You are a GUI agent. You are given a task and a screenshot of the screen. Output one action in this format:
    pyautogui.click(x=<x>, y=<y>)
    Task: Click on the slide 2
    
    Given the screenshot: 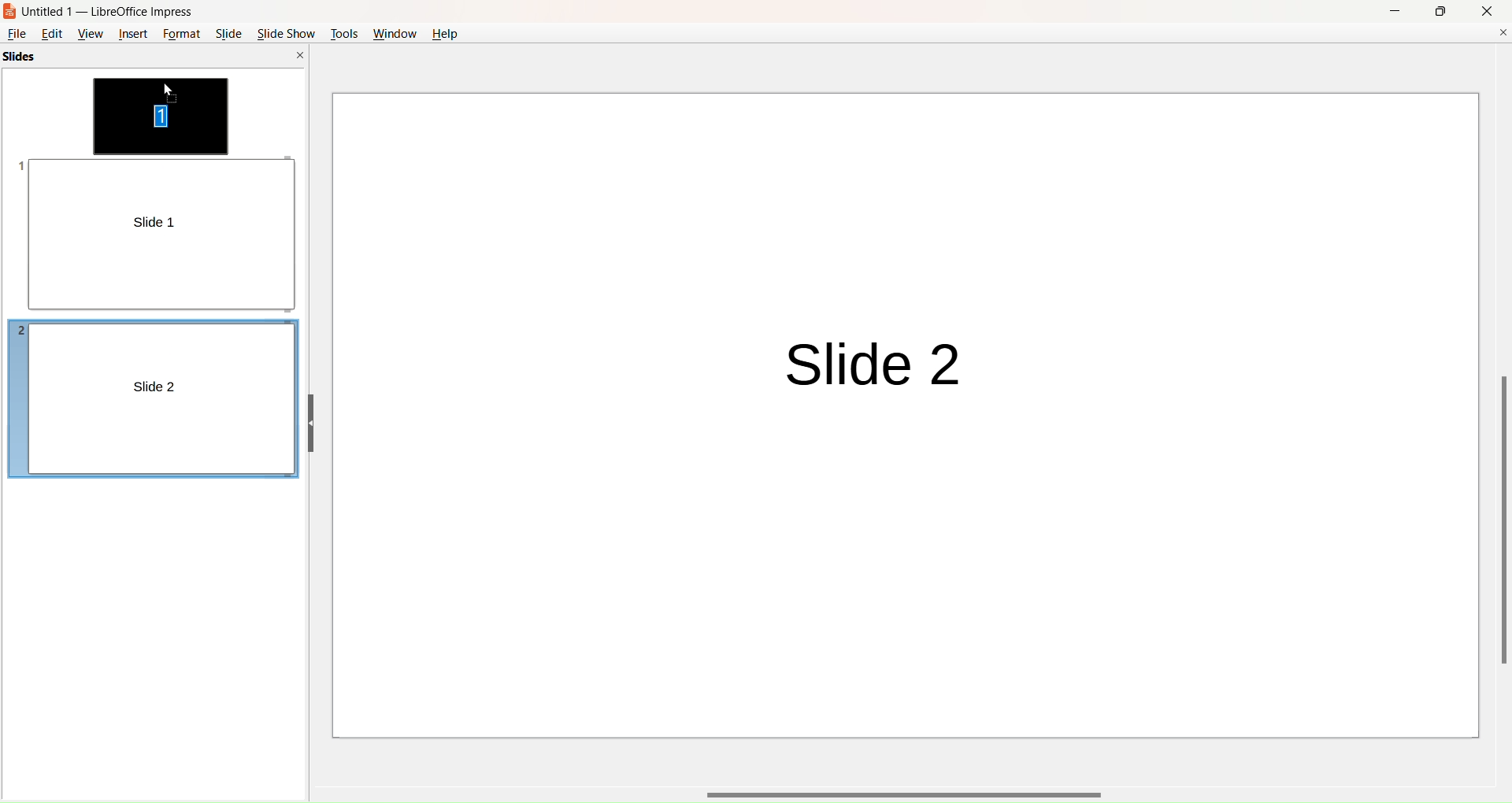 What is the action you would take?
    pyautogui.click(x=865, y=368)
    